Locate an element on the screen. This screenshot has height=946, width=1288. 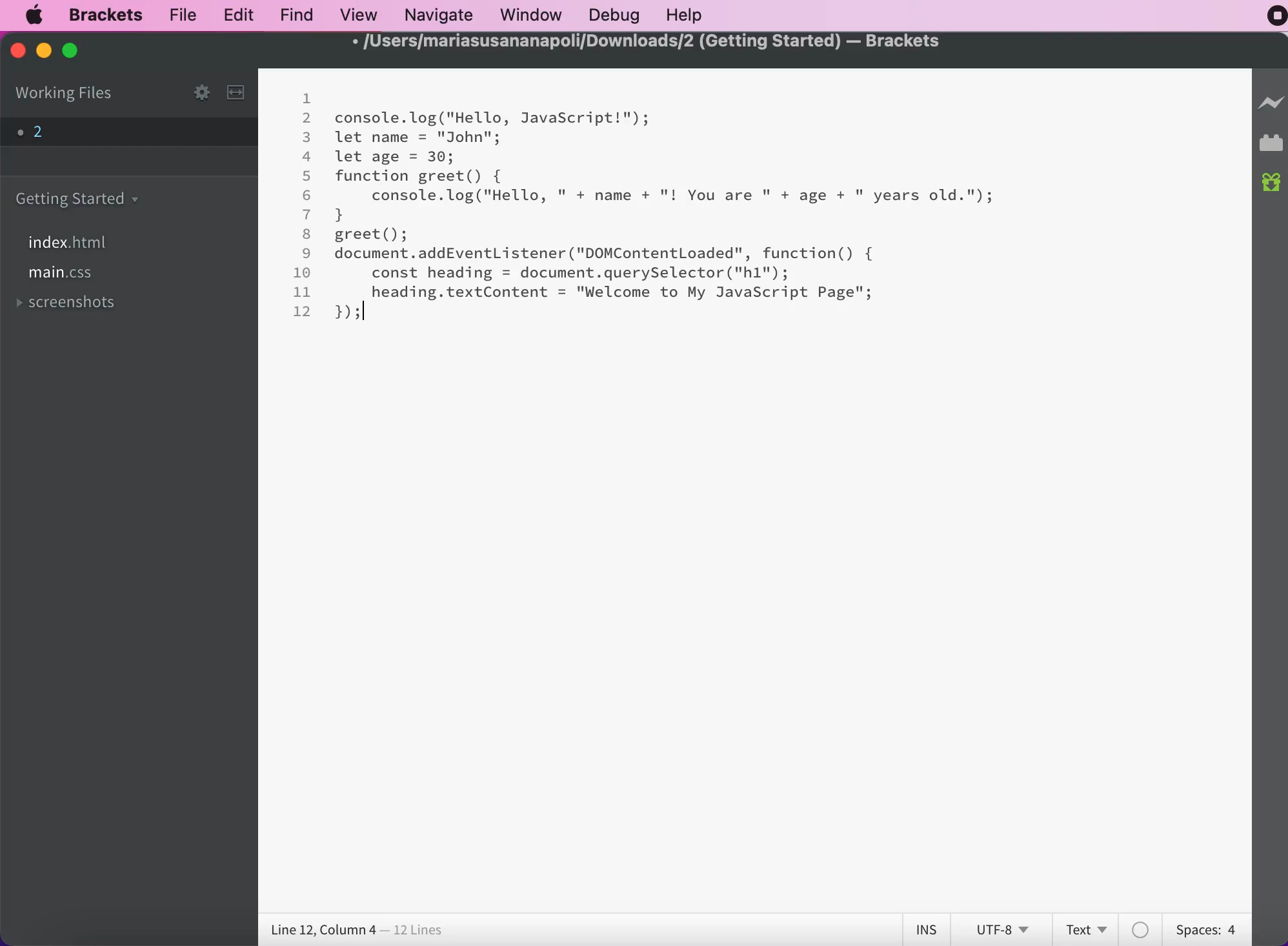
file is located at coordinates (179, 17).